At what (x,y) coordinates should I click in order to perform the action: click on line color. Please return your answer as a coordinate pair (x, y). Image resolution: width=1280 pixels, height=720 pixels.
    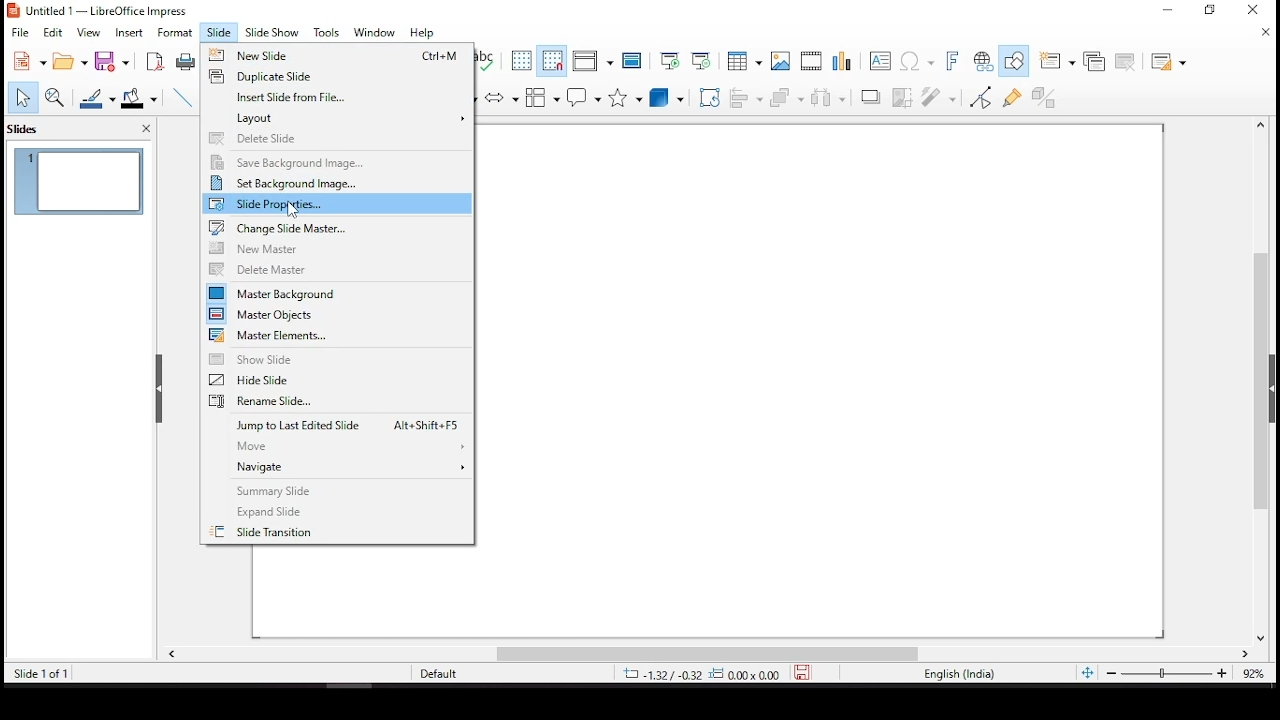
    Looking at the image, I should click on (95, 97).